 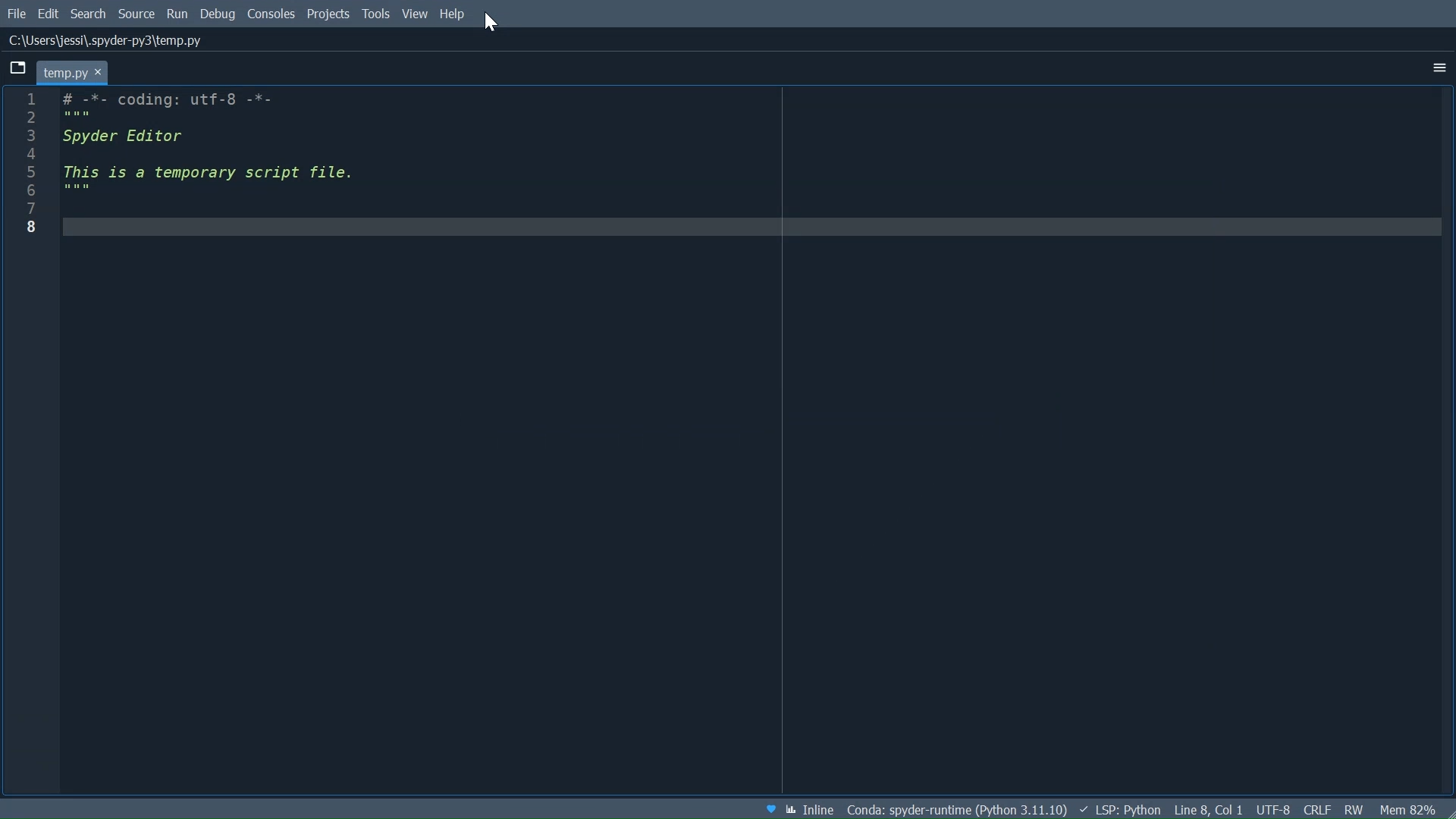 I want to click on File Permissions, so click(x=1357, y=809).